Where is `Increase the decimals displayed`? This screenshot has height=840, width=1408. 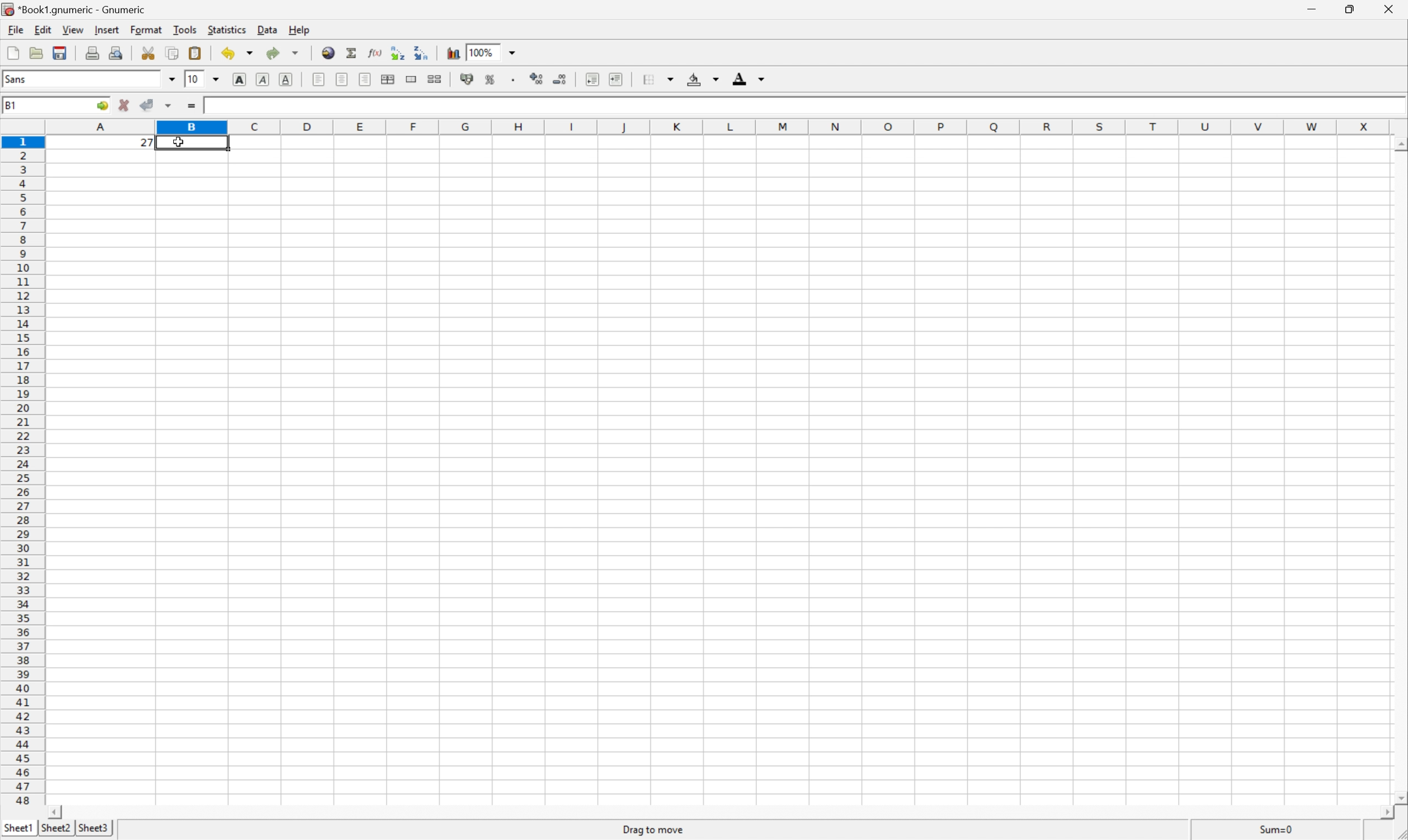
Increase the decimals displayed is located at coordinates (537, 77).